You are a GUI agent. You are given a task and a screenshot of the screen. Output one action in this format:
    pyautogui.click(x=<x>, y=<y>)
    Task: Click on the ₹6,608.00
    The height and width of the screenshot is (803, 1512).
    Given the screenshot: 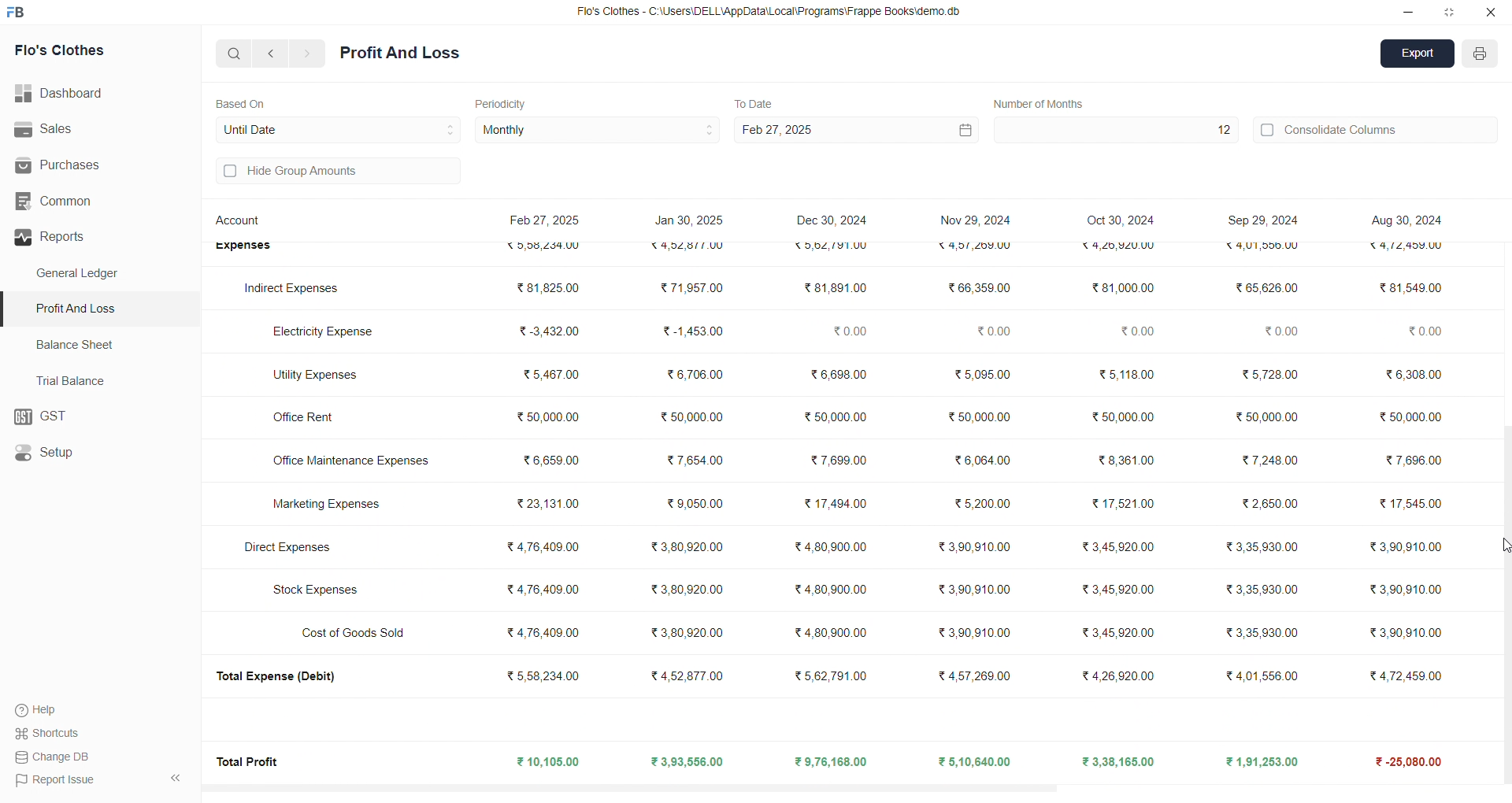 What is the action you would take?
    pyautogui.click(x=836, y=377)
    